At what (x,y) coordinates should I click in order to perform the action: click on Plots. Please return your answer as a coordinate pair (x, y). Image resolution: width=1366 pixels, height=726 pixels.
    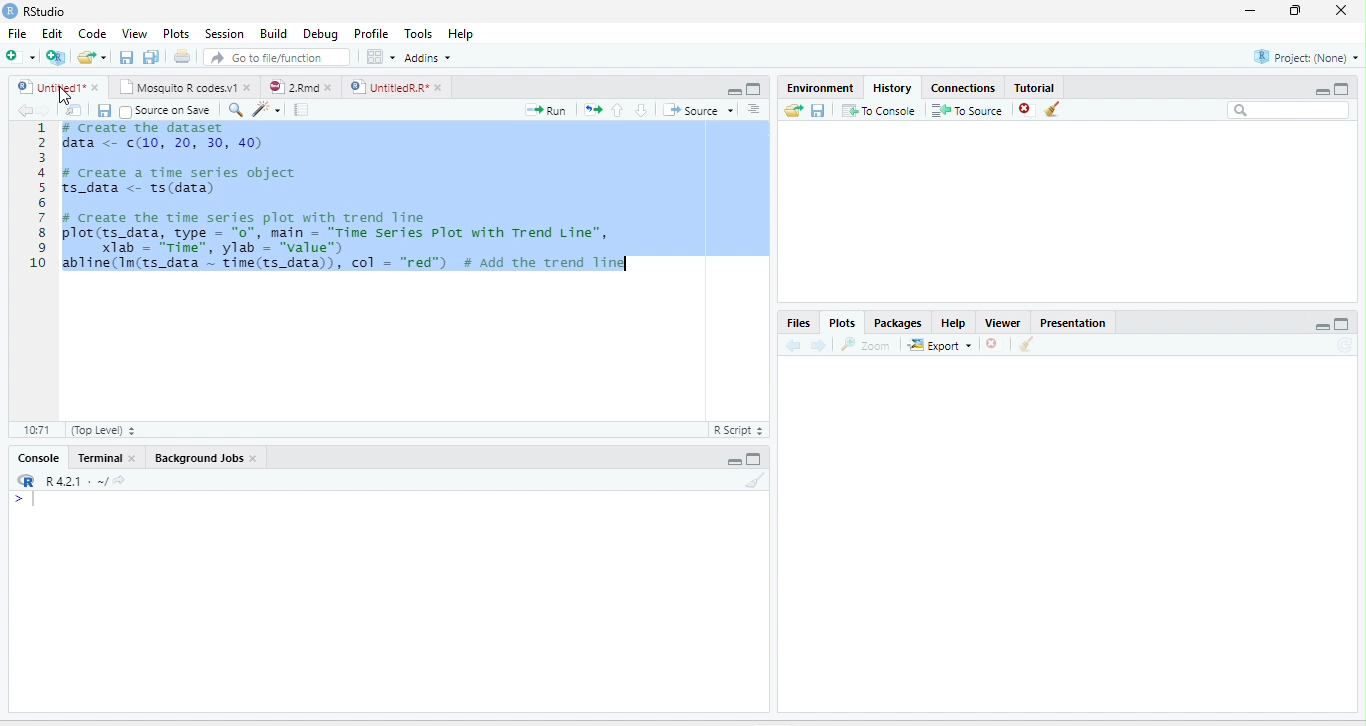
    Looking at the image, I should click on (841, 323).